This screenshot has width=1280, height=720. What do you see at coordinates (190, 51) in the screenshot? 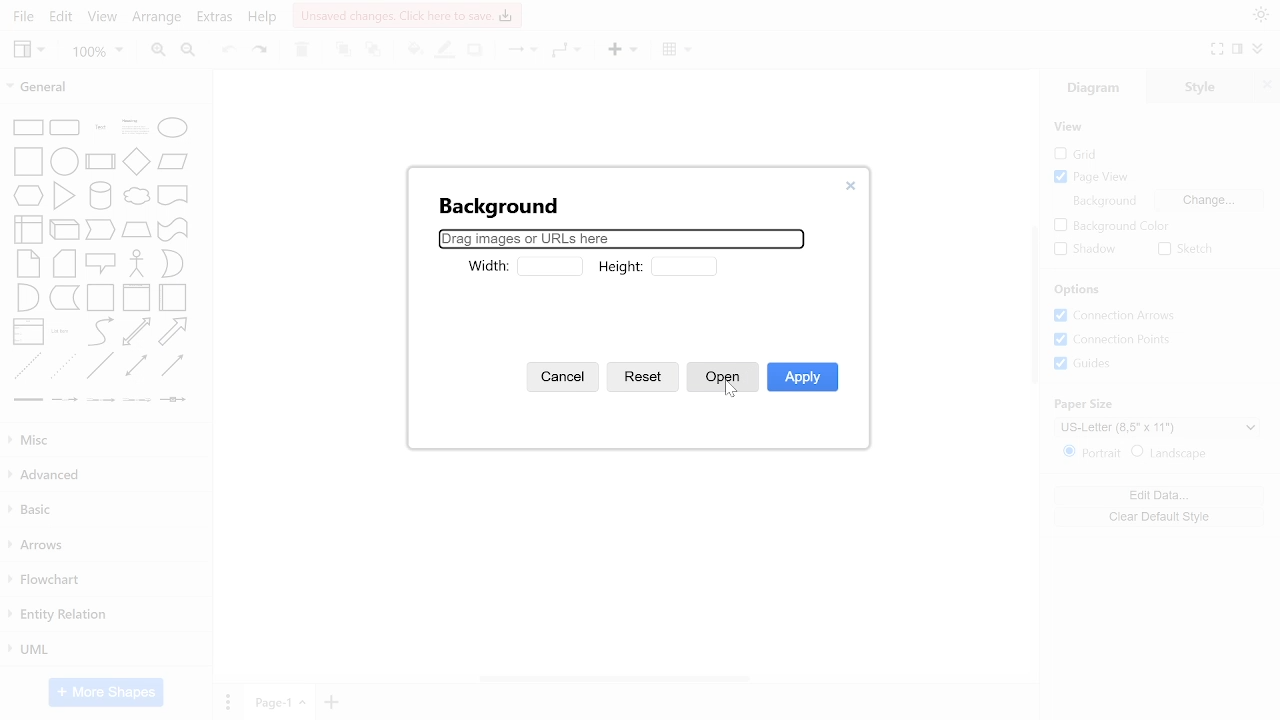
I see `zoom out` at bounding box center [190, 51].